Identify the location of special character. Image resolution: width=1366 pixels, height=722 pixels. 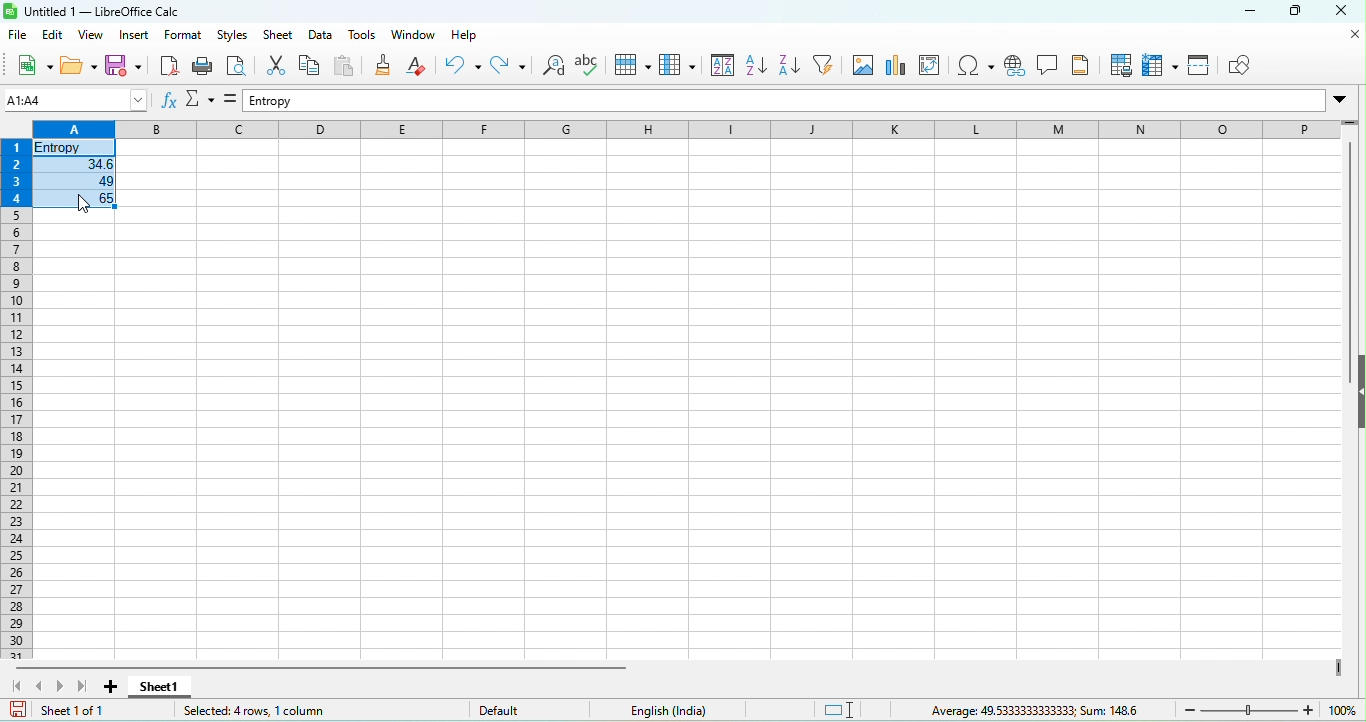
(977, 67).